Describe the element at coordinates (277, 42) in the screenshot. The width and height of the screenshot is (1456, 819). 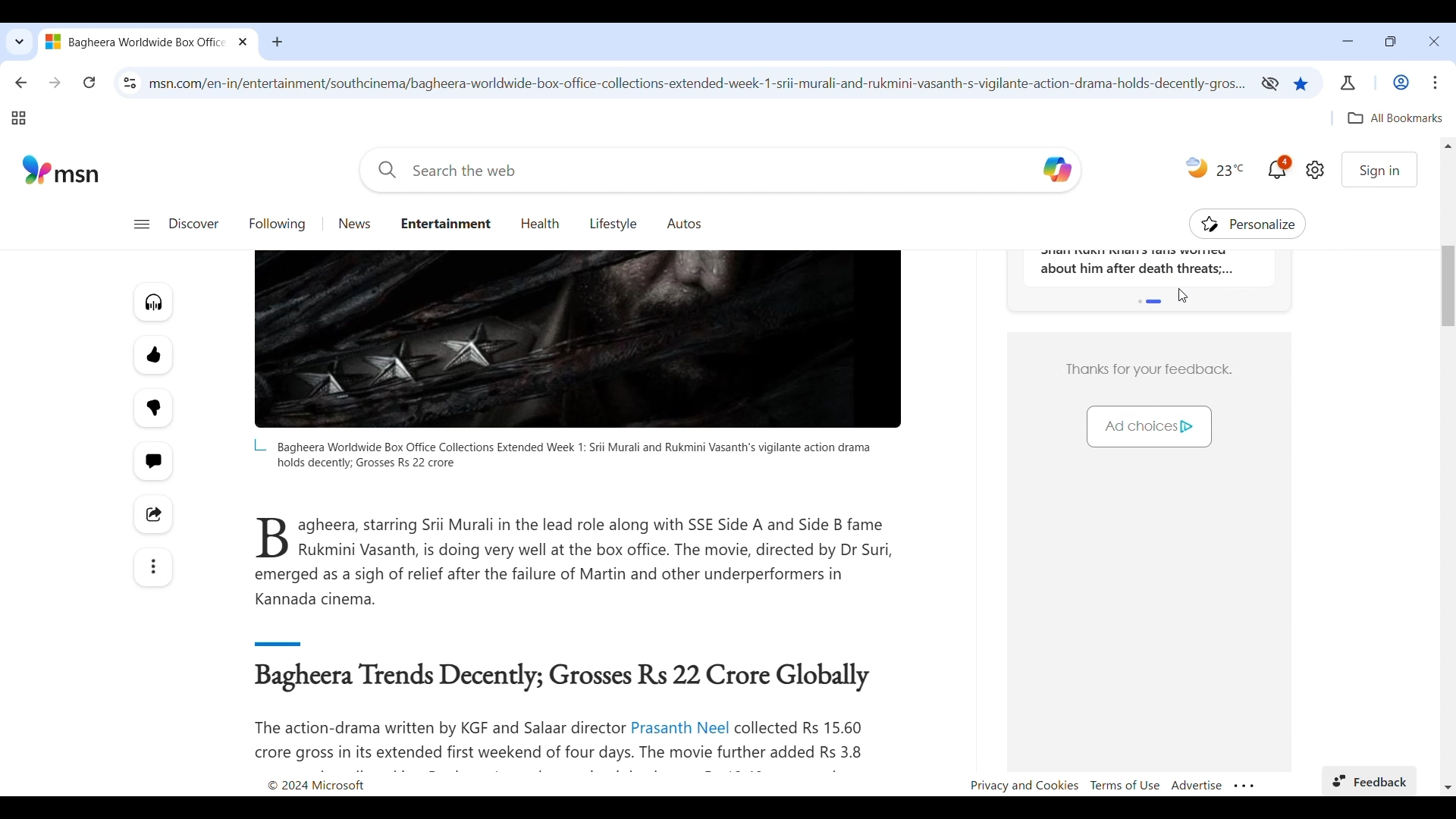
I see `Add tab` at that location.